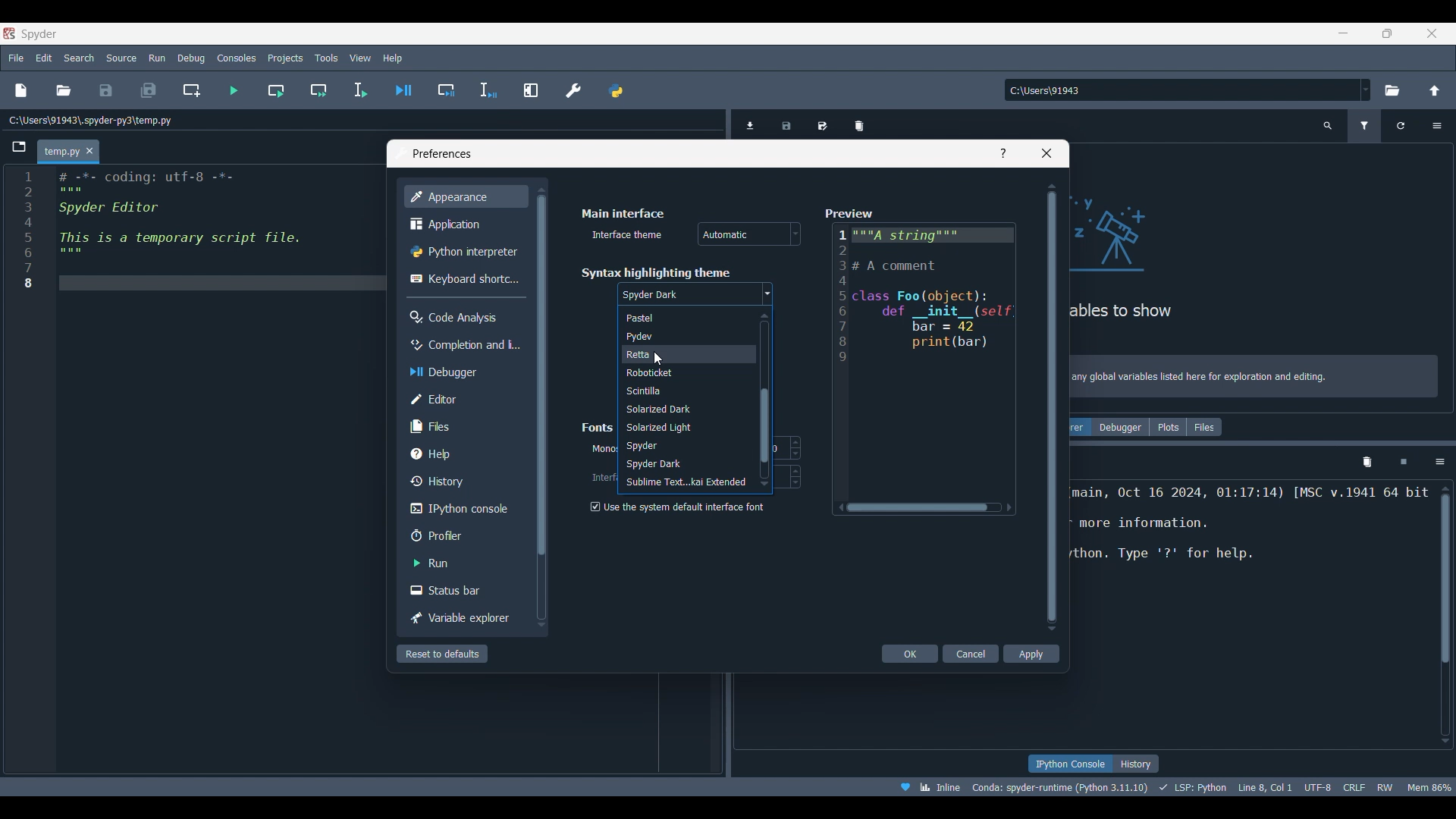  Describe the element at coordinates (1031, 654) in the screenshot. I see `Apply` at that location.